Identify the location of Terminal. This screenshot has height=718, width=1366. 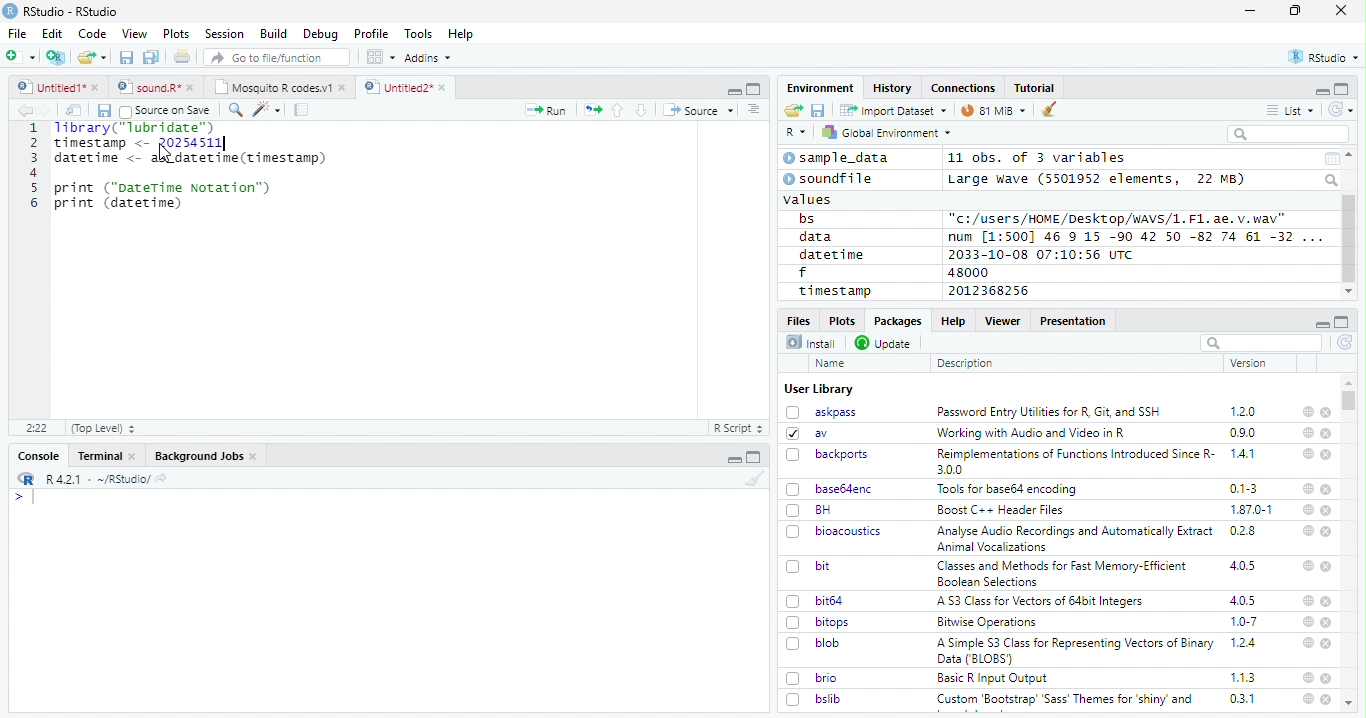
(106, 456).